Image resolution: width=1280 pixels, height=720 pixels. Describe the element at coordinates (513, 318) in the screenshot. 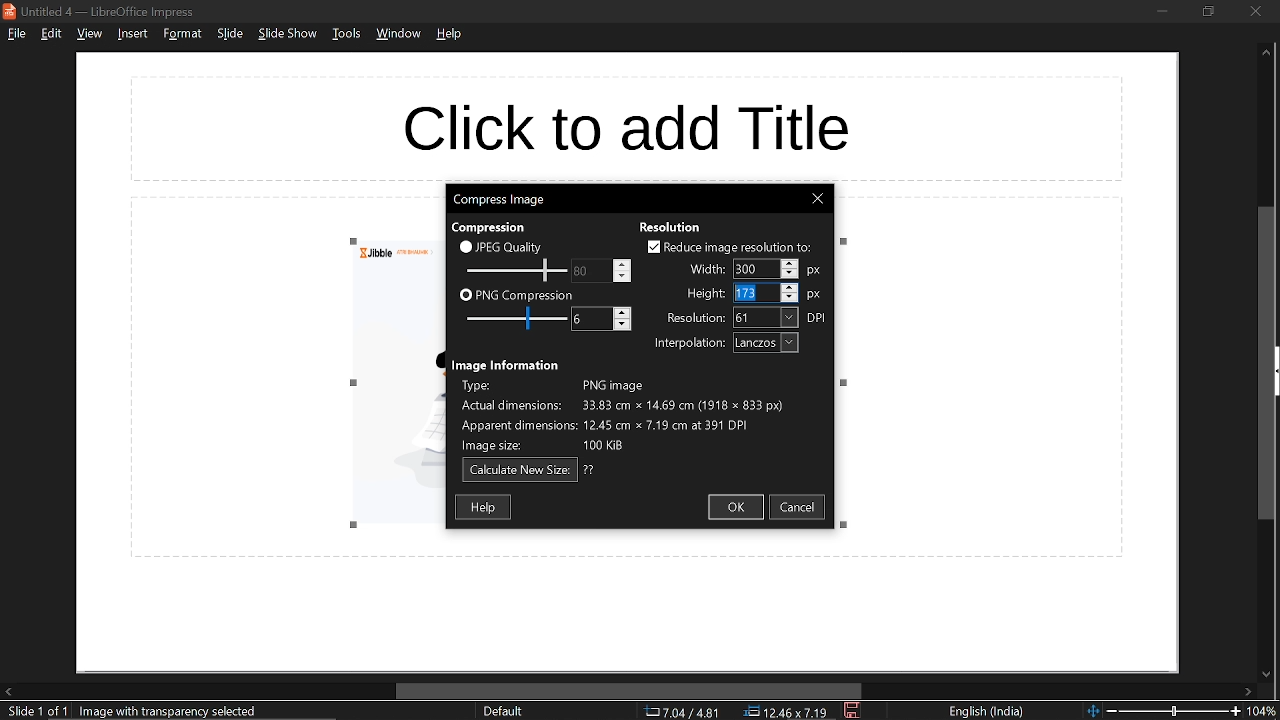

I see `PNG compression scale` at that location.